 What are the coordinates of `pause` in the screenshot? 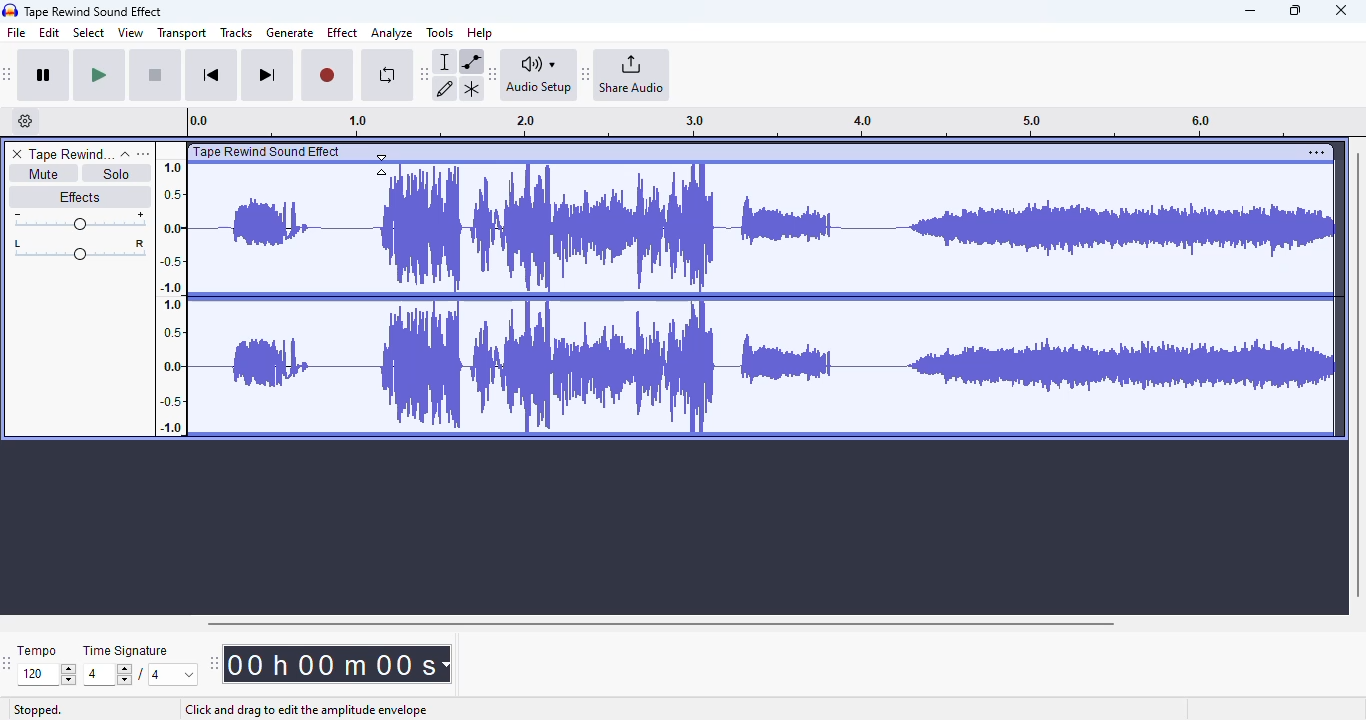 It's located at (44, 76).